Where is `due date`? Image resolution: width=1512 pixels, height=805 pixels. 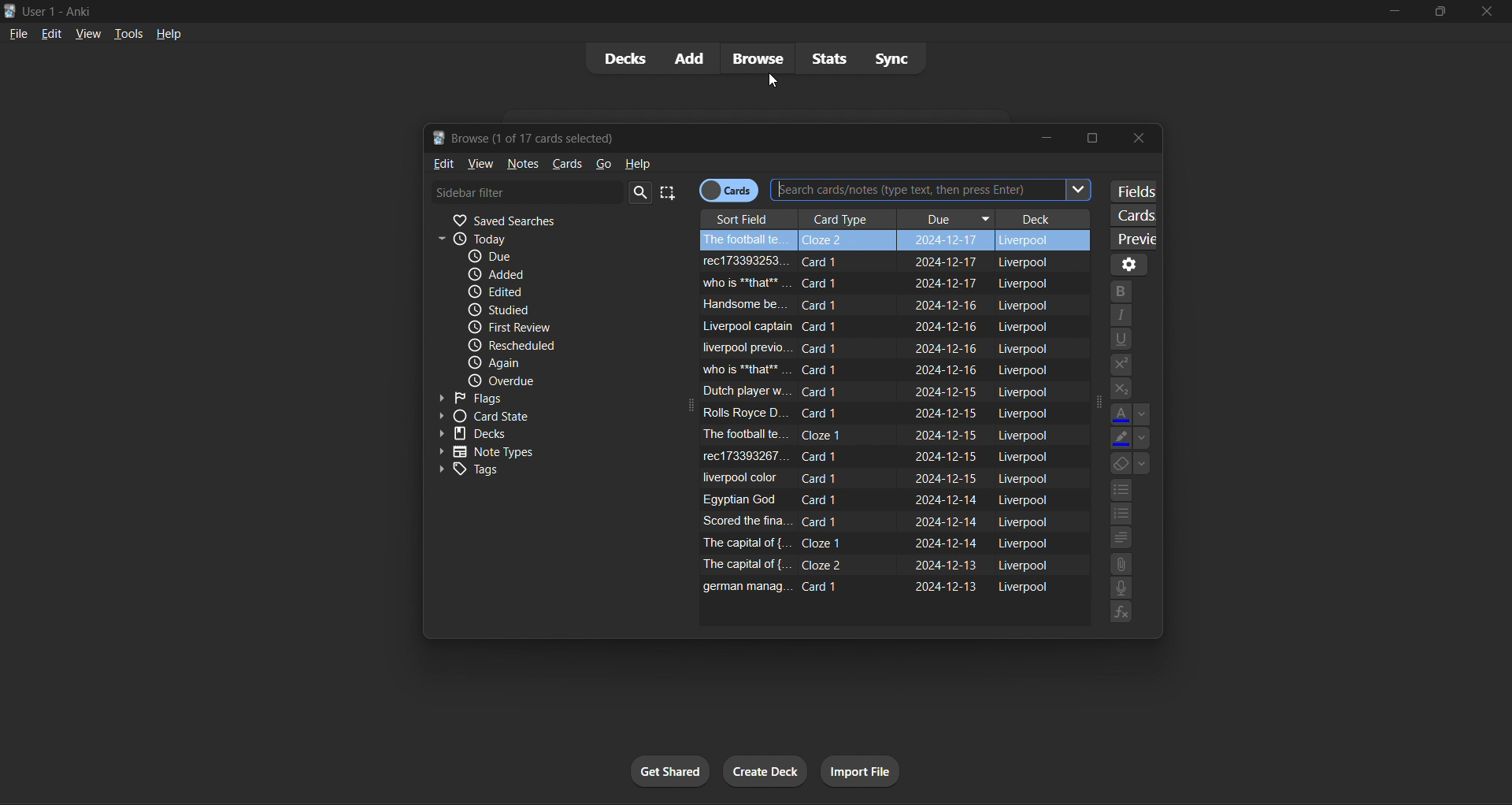
due date is located at coordinates (947, 457).